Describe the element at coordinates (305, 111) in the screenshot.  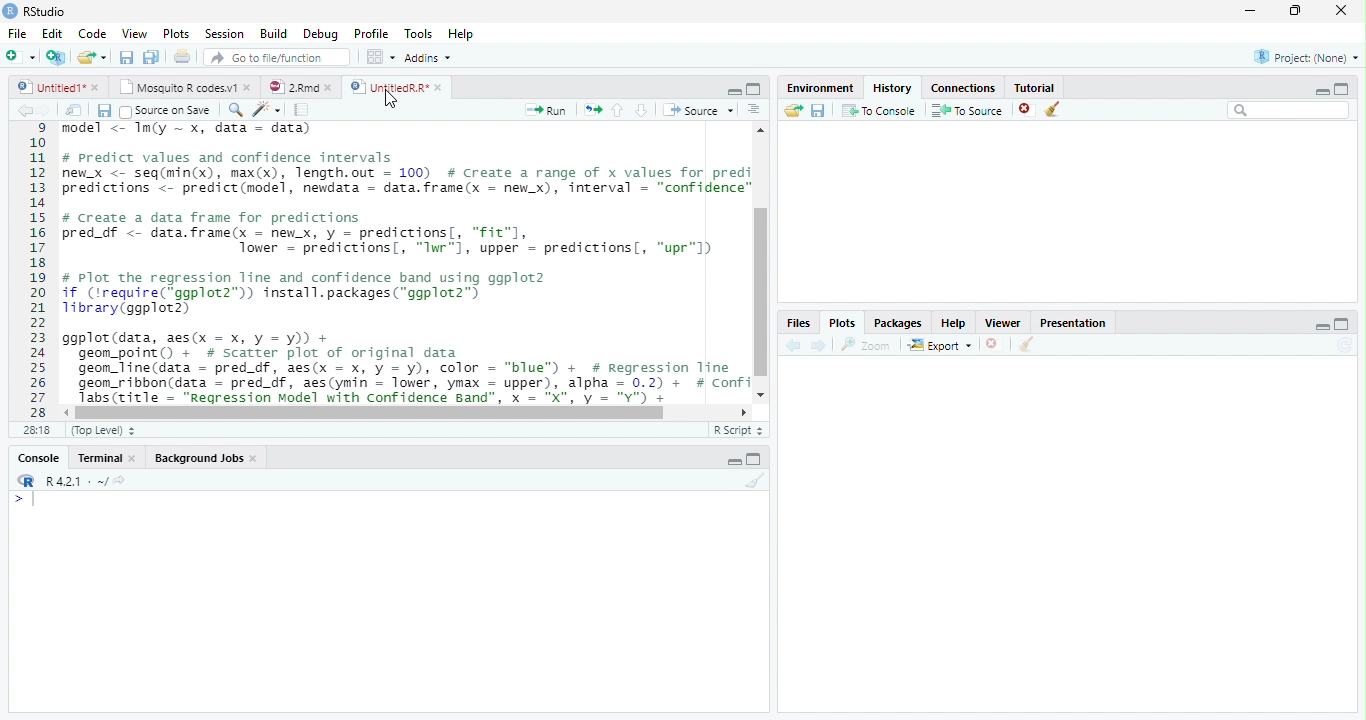
I see `Pages` at that location.